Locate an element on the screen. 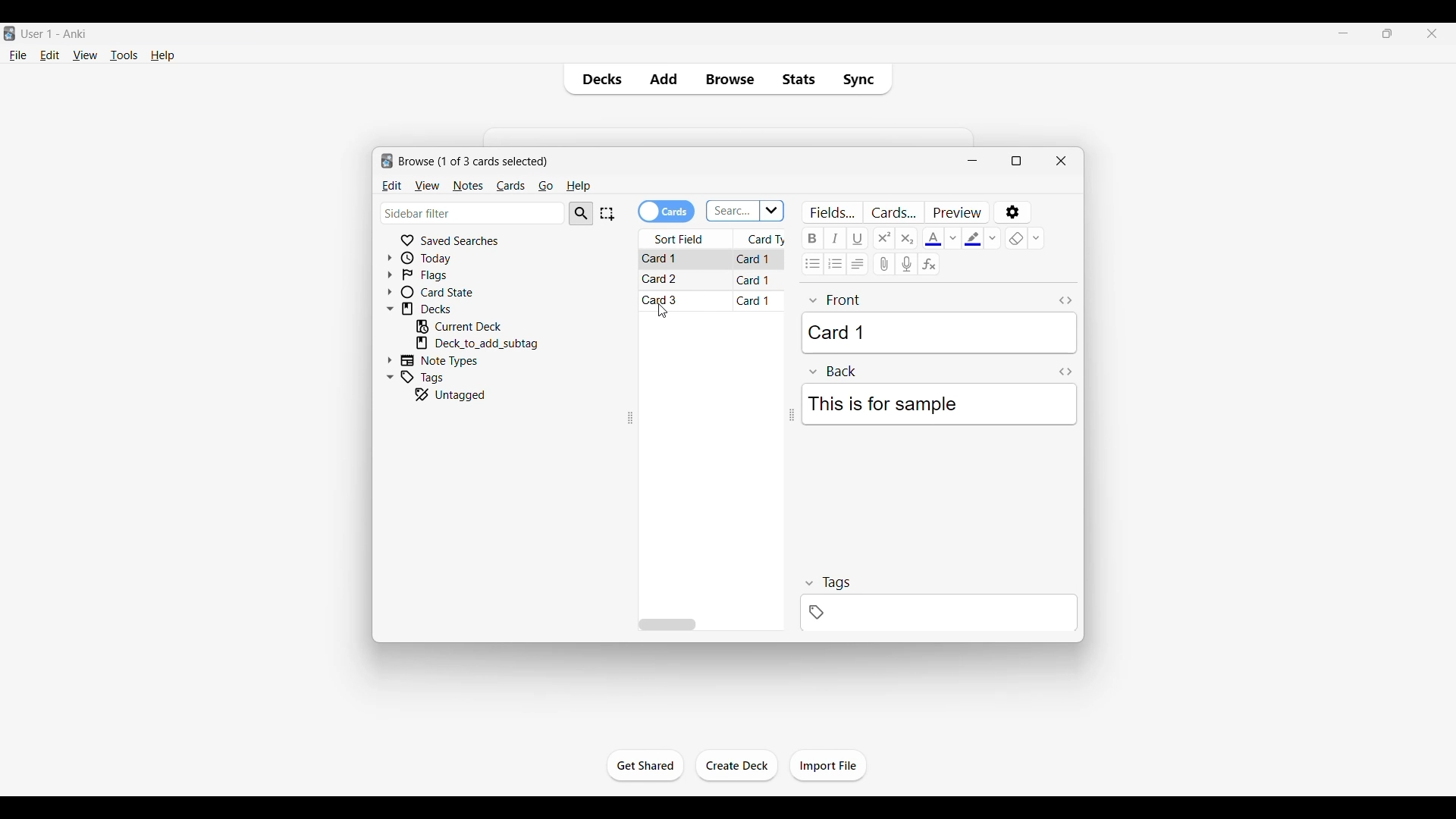 This screenshot has height=819, width=1456. Notes menu is located at coordinates (468, 187).